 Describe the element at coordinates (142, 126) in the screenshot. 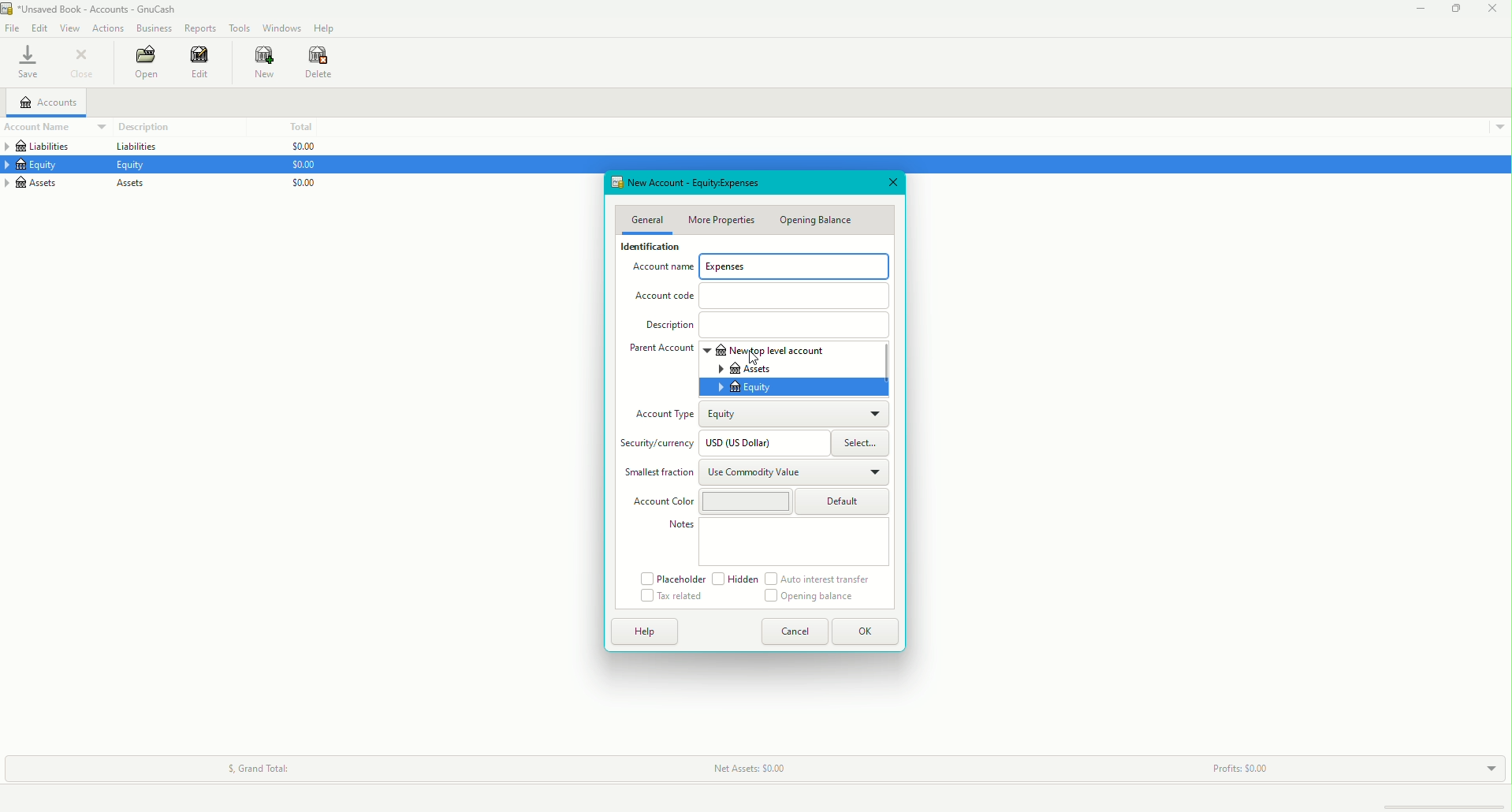

I see `Description` at that location.